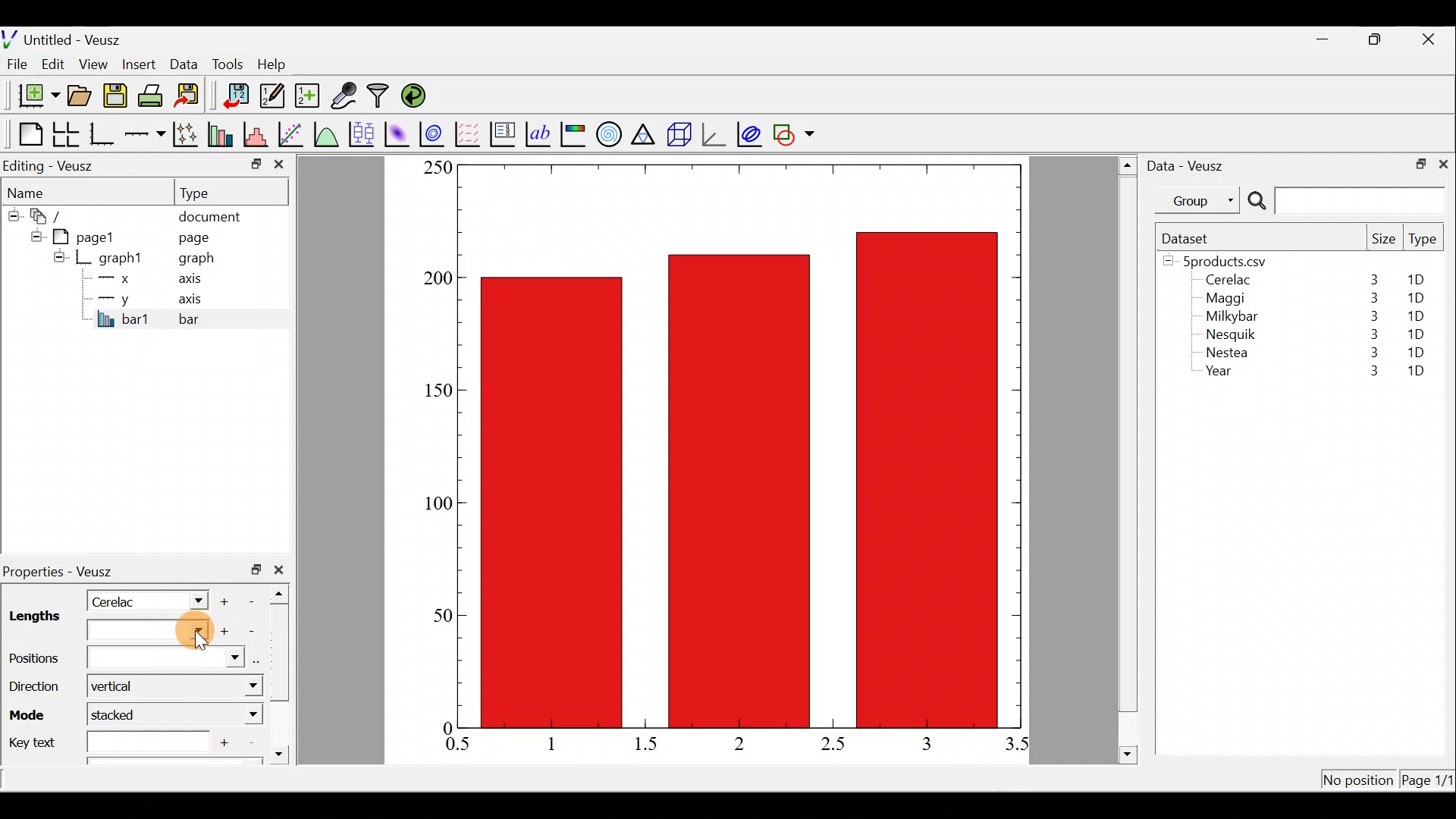  Describe the element at coordinates (1370, 298) in the screenshot. I see `3` at that location.